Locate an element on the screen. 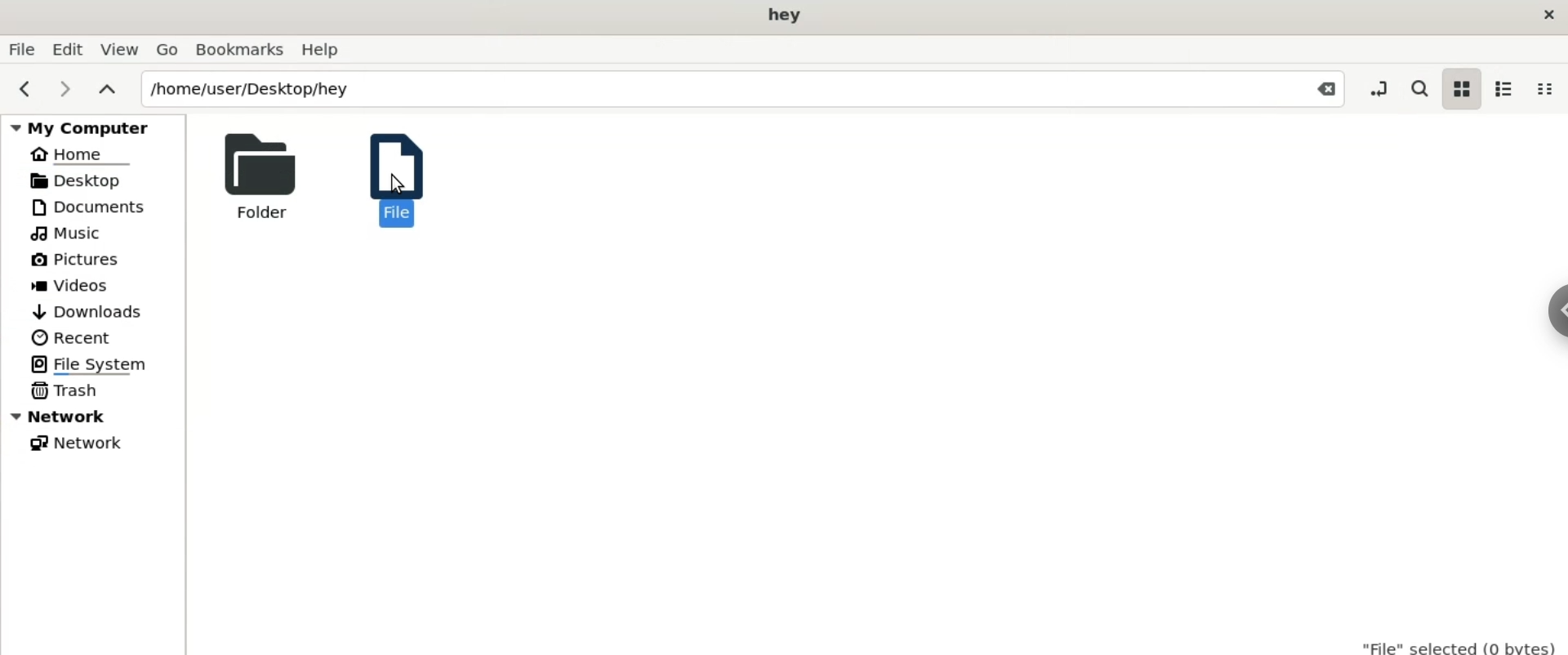 The height and width of the screenshot is (655, 1568). home is located at coordinates (78, 153).